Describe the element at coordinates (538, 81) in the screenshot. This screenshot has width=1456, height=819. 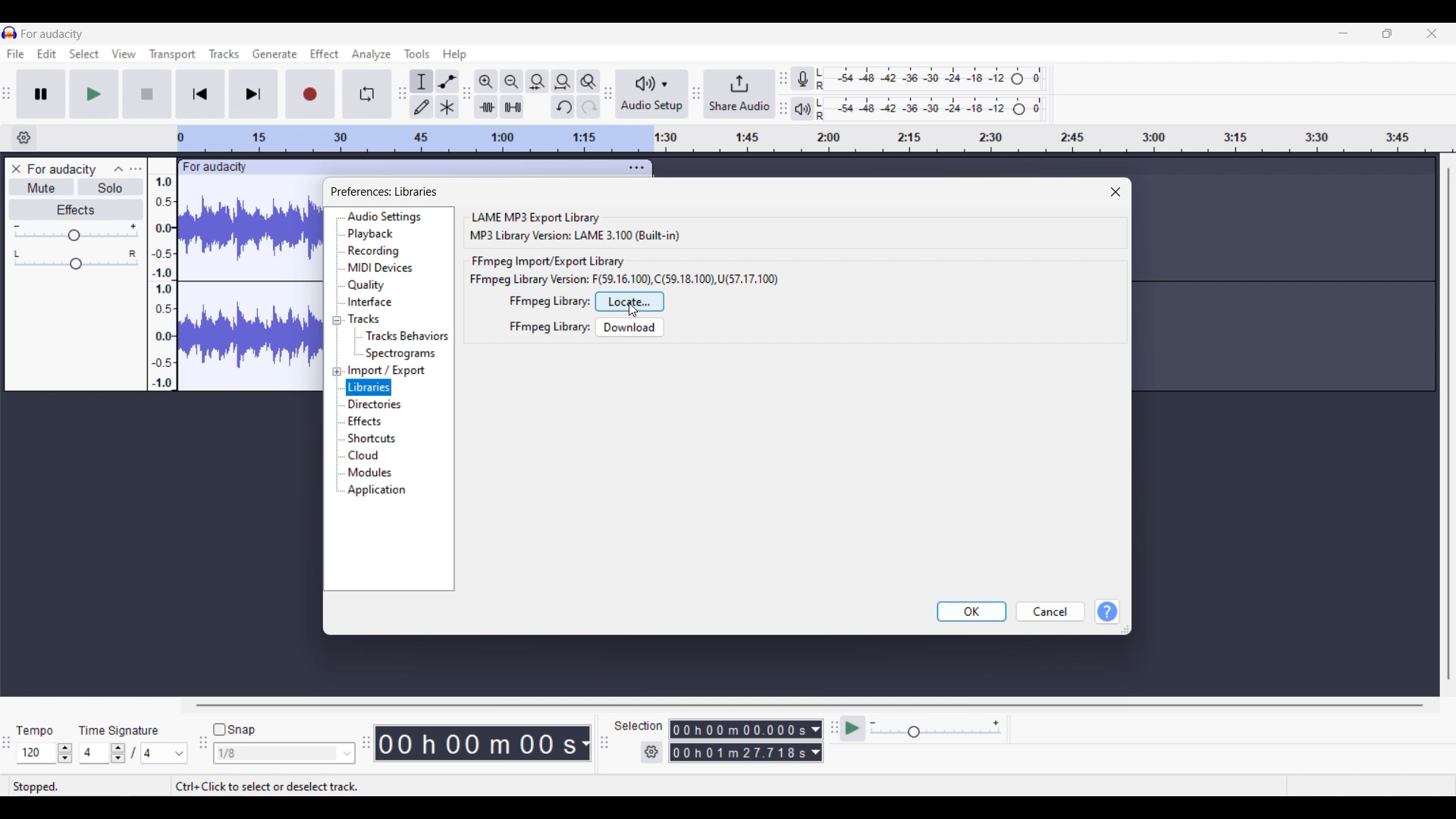
I see `Fit selection to width` at that location.